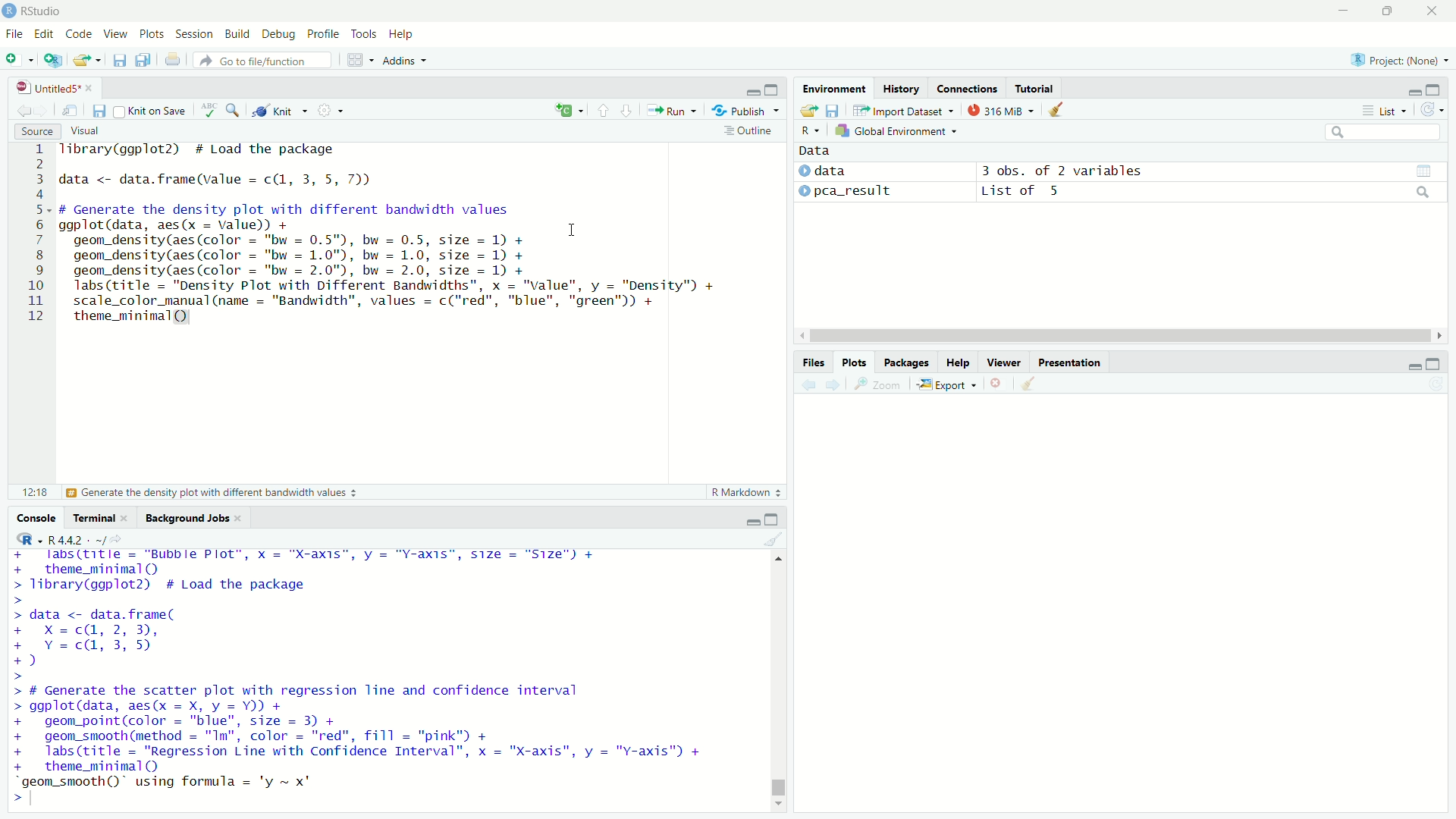 The width and height of the screenshot is (1456, 819). What do you see at coordinates (901, 87) in the screenshot?
I see `History` at bounding box center [901, 87].